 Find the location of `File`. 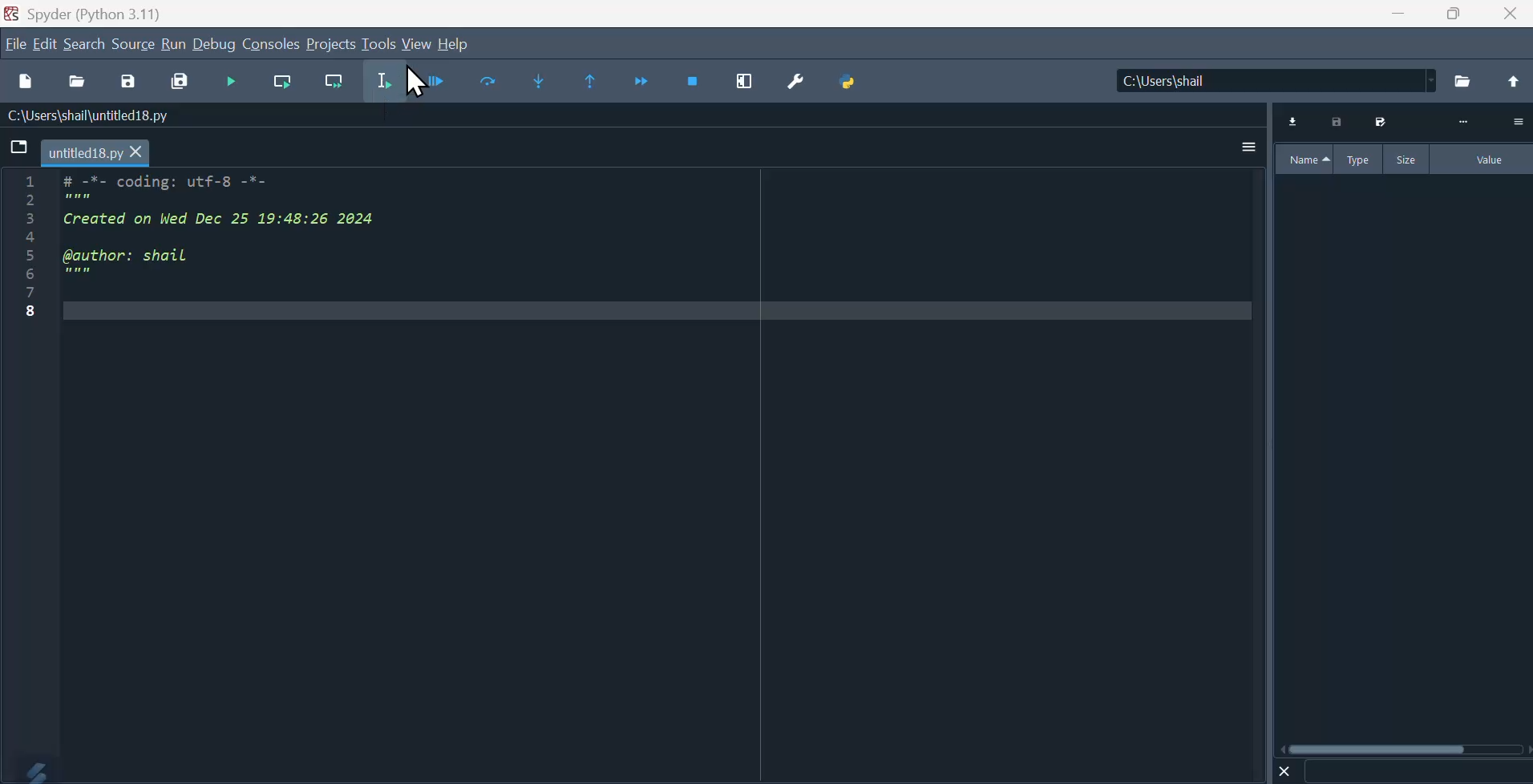

File is located at coordinates (15, 43).